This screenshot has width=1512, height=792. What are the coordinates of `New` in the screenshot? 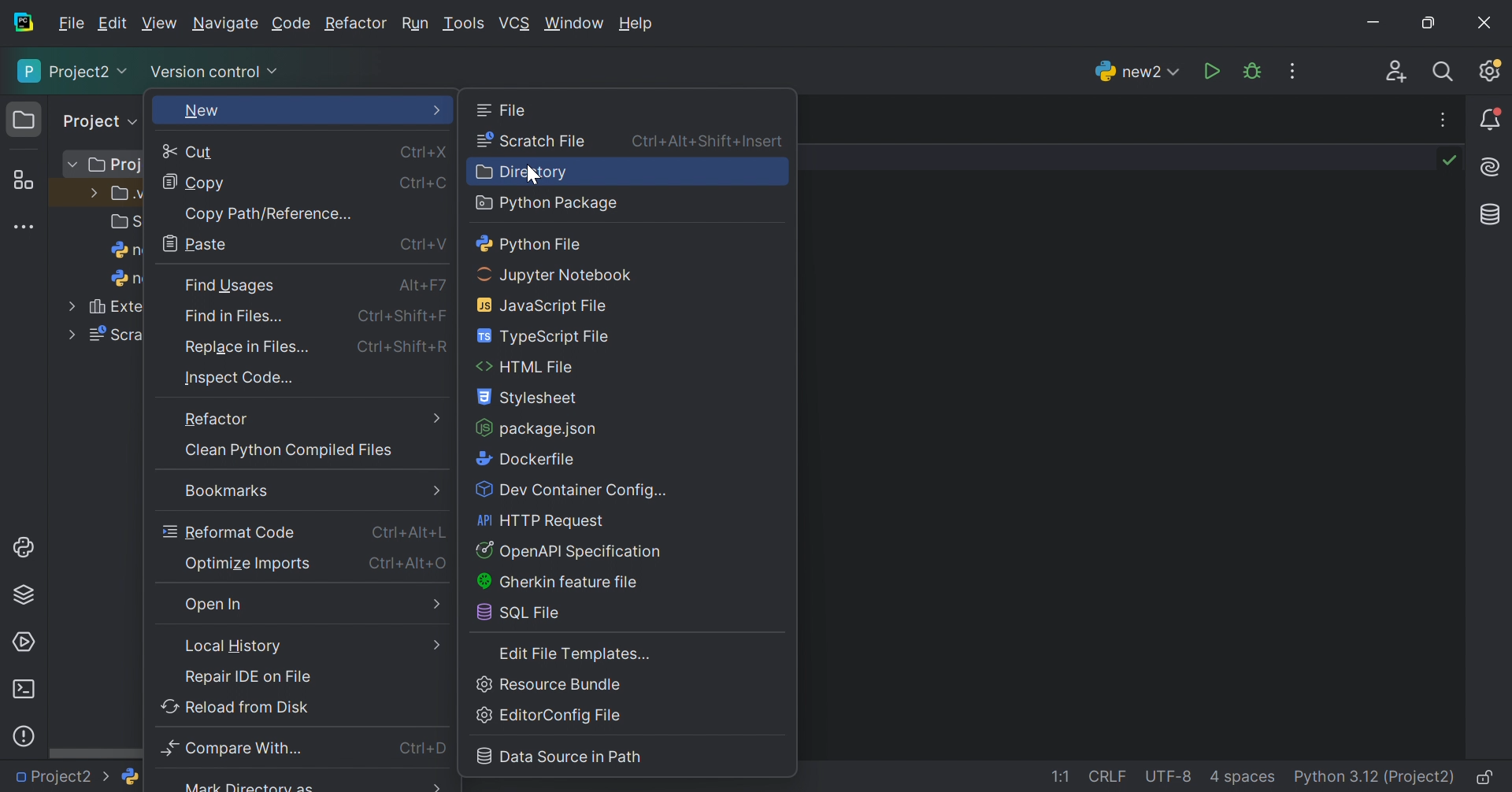 It's located at (201, 113).